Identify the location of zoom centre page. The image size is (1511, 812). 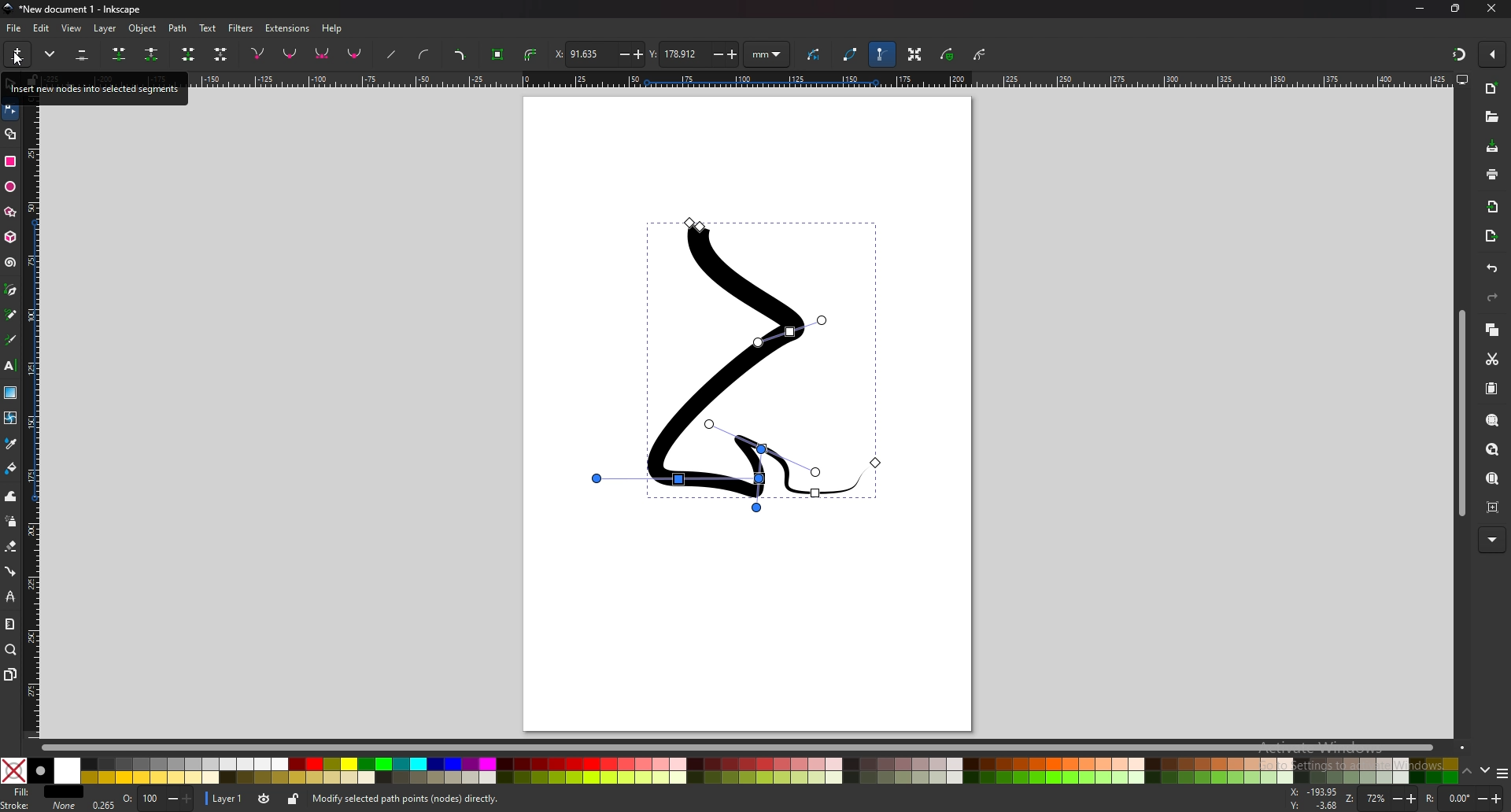
(1493, 507).